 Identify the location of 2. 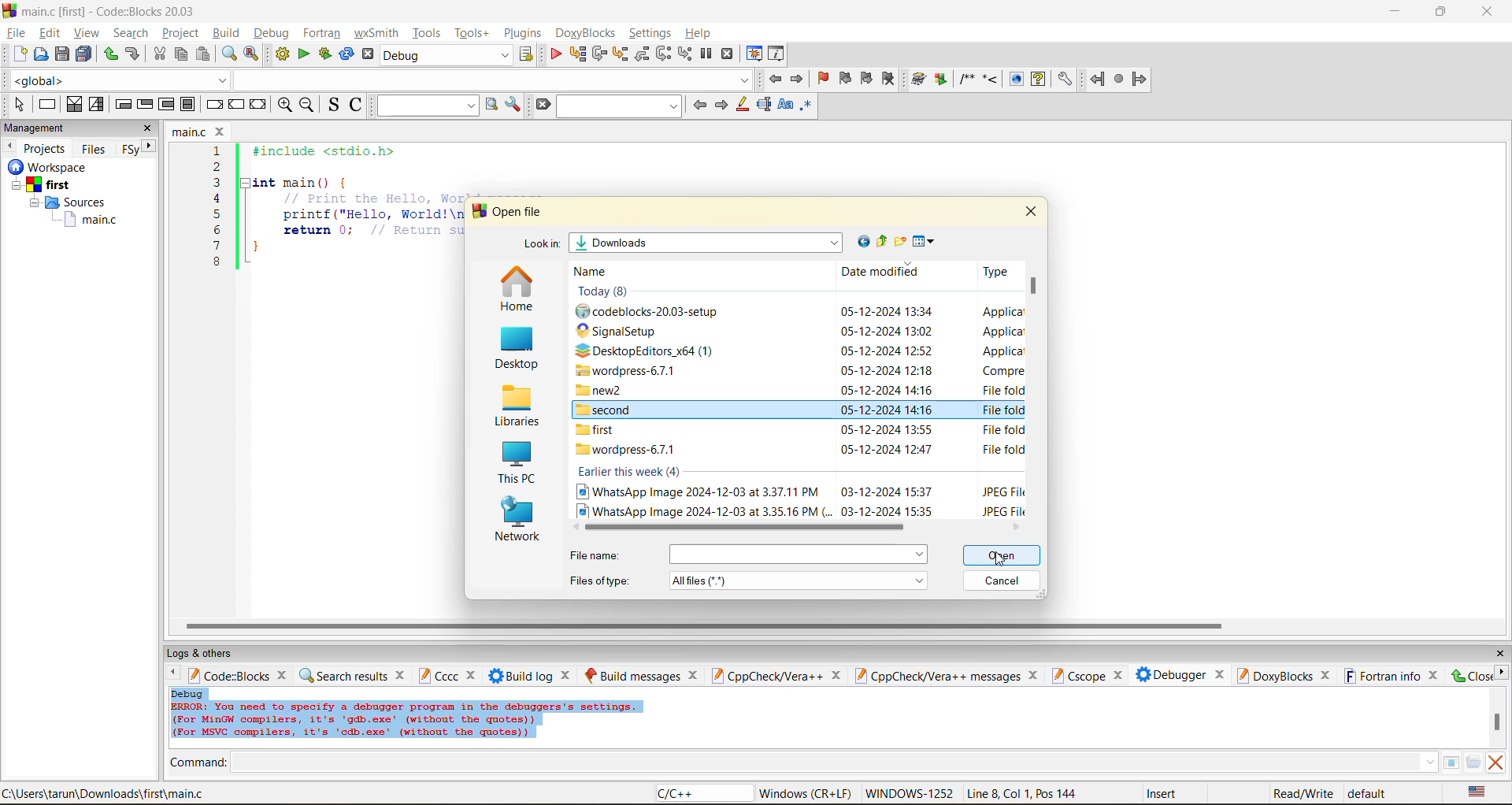
(217, 167).